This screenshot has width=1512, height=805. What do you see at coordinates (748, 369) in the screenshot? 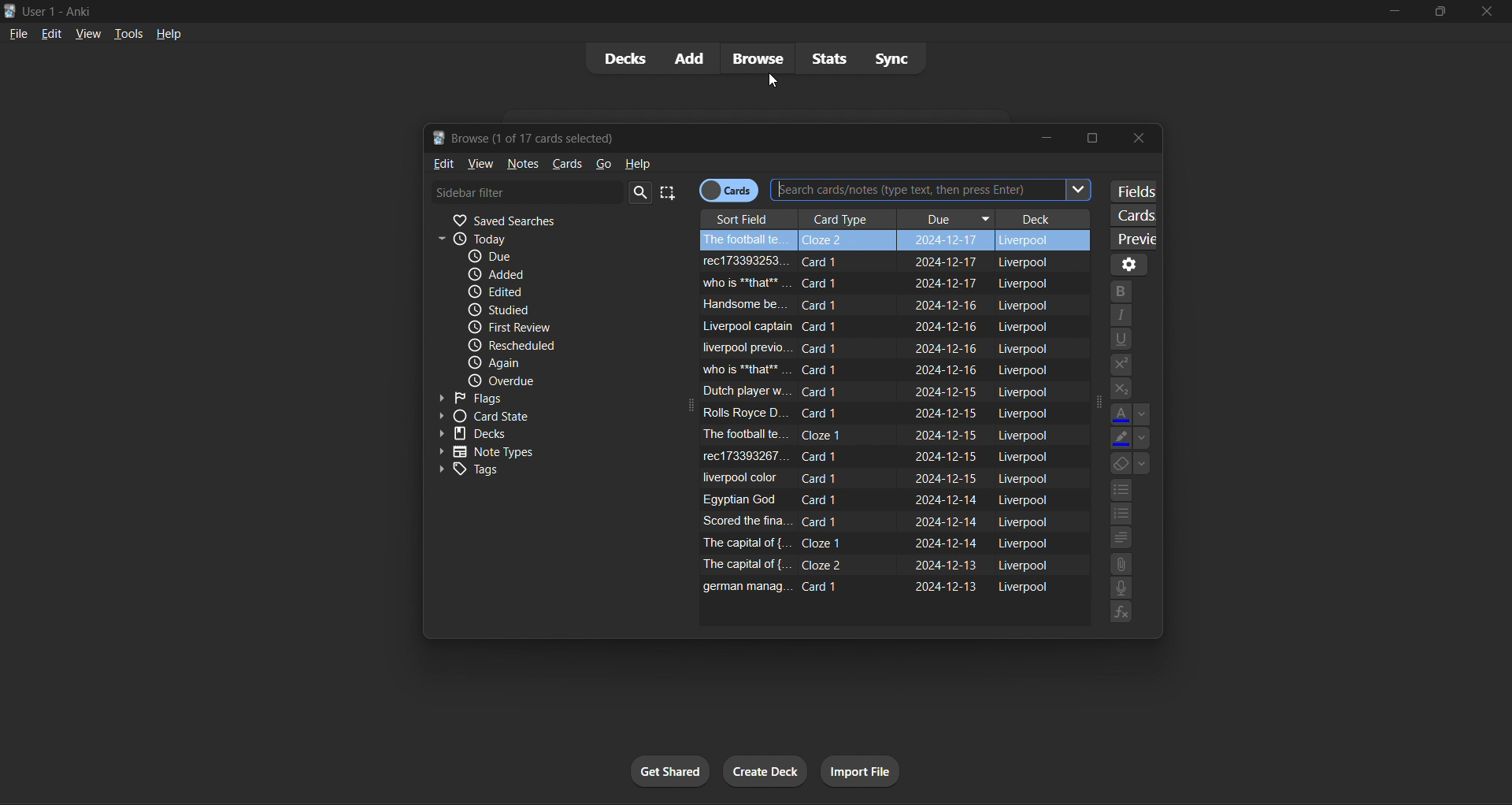
I see `field` at bounding box center [748, 369].